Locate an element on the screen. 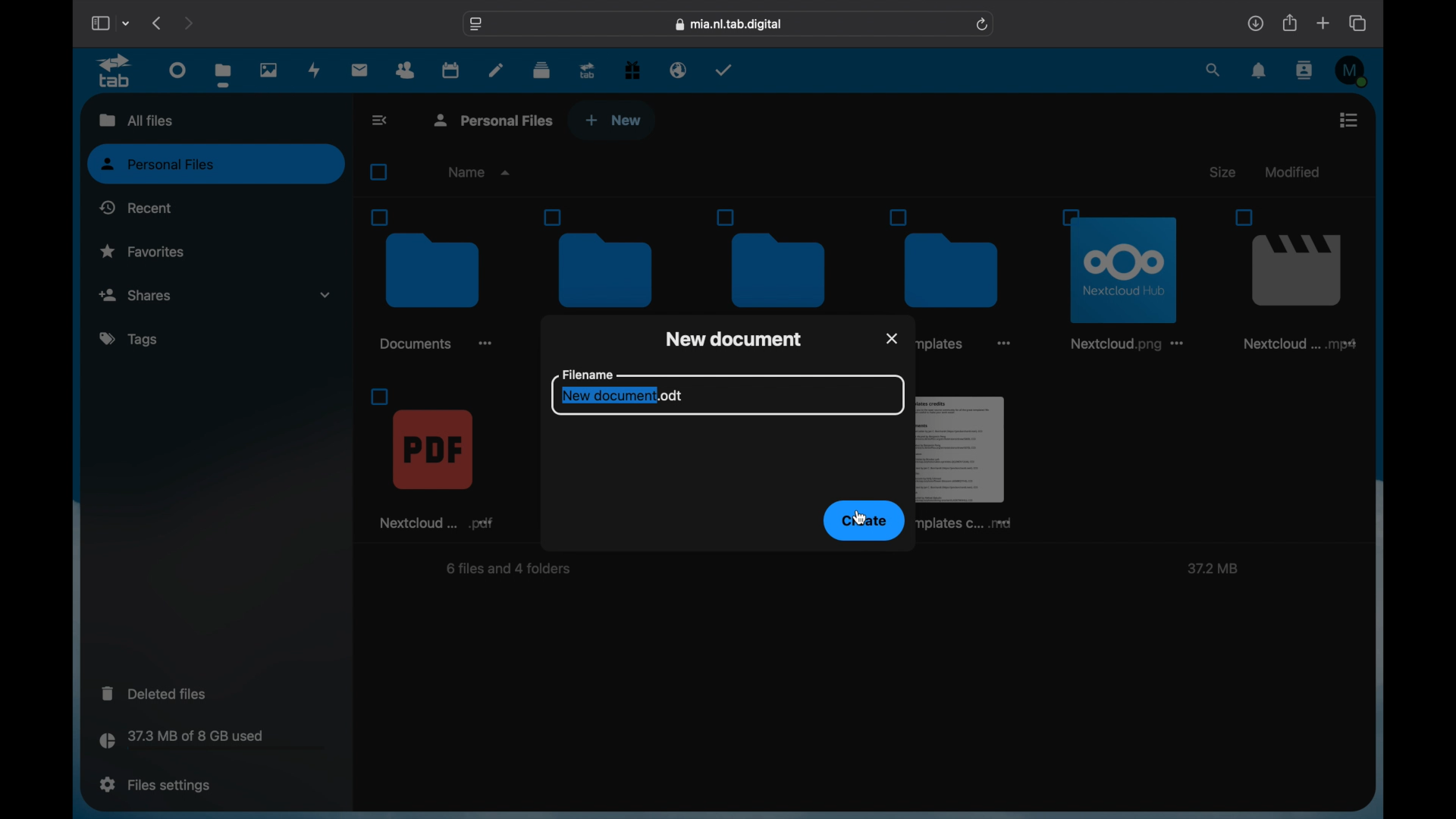  email is located at coordinates (679, 71).